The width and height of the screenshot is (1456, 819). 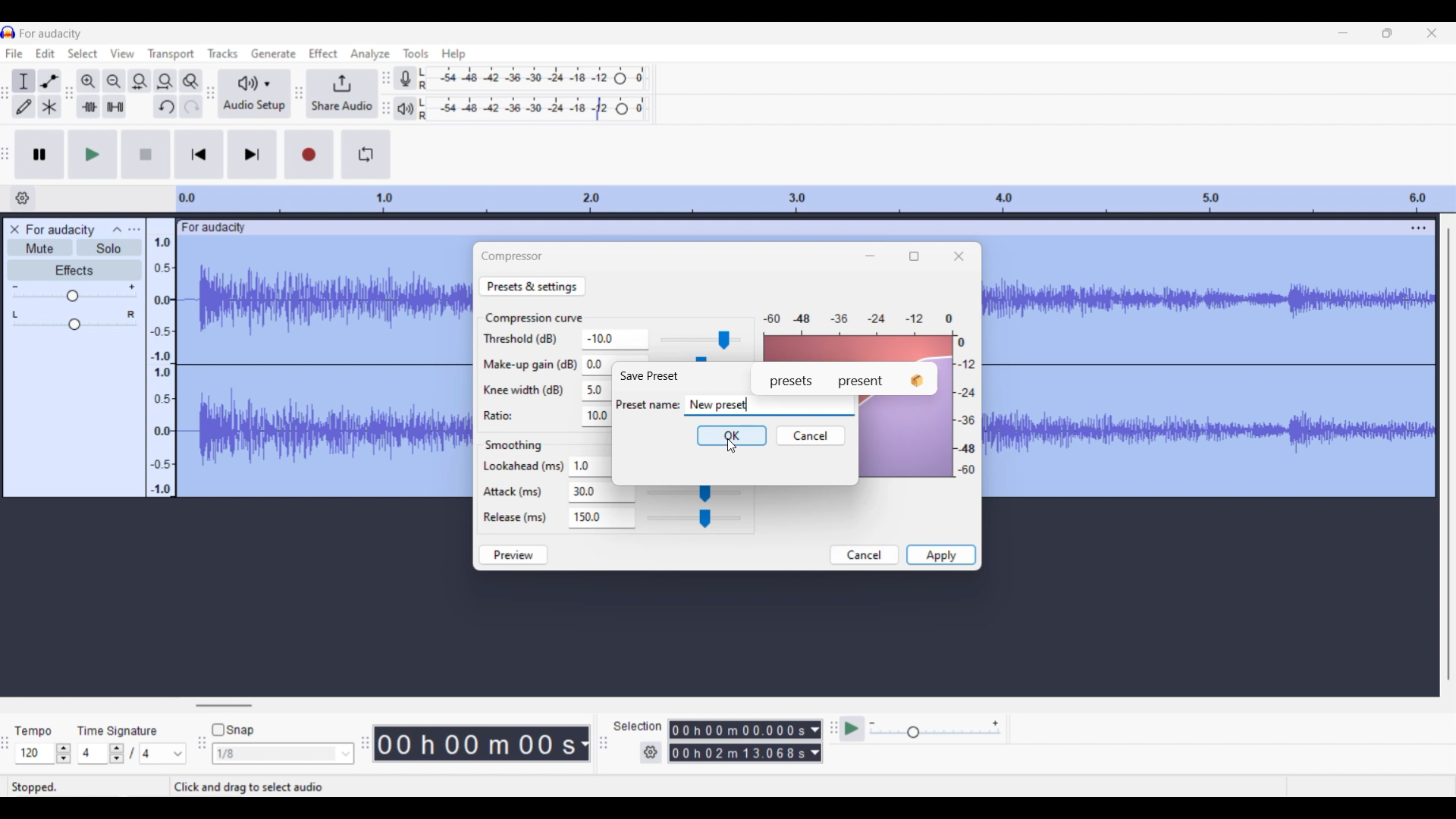 What do you see at coordinates (693, 494) in the screenshot?
I see `Attack slider` at bounding box center [693, 494].